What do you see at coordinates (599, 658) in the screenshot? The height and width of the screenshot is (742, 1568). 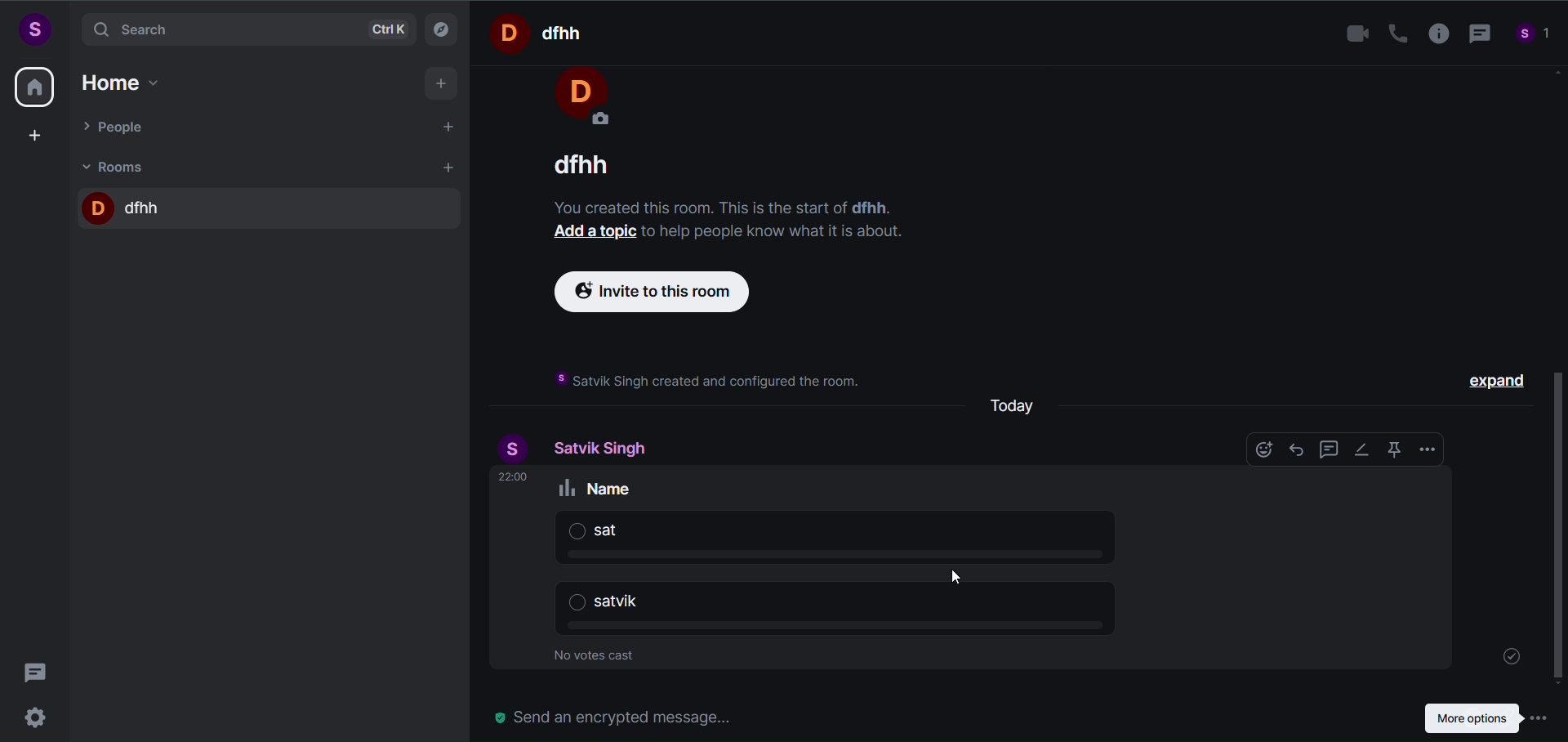 I see `no votes cast` at bounding box center [599, 658].